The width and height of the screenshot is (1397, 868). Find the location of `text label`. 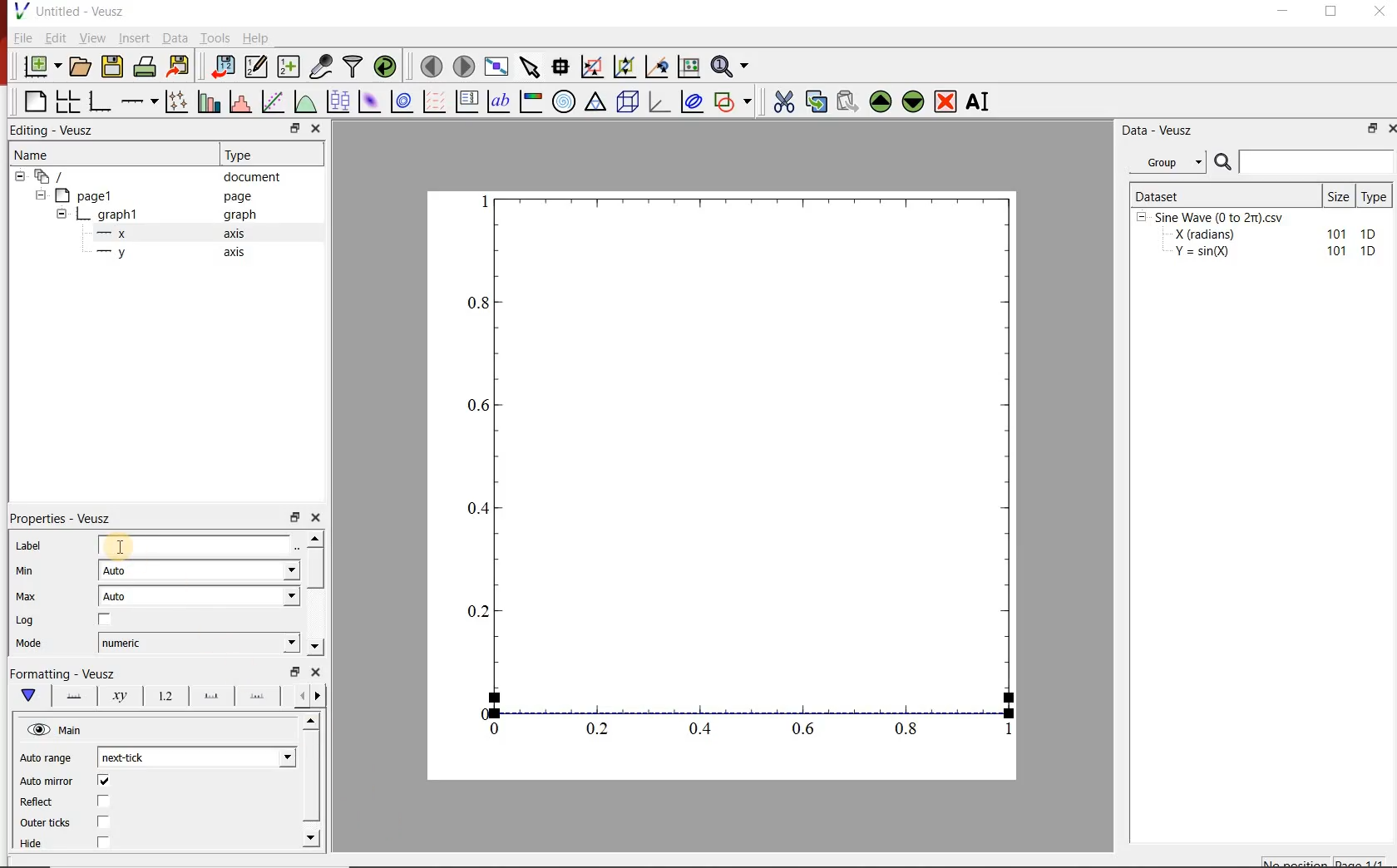

text label is located at coordinates (499, 101).